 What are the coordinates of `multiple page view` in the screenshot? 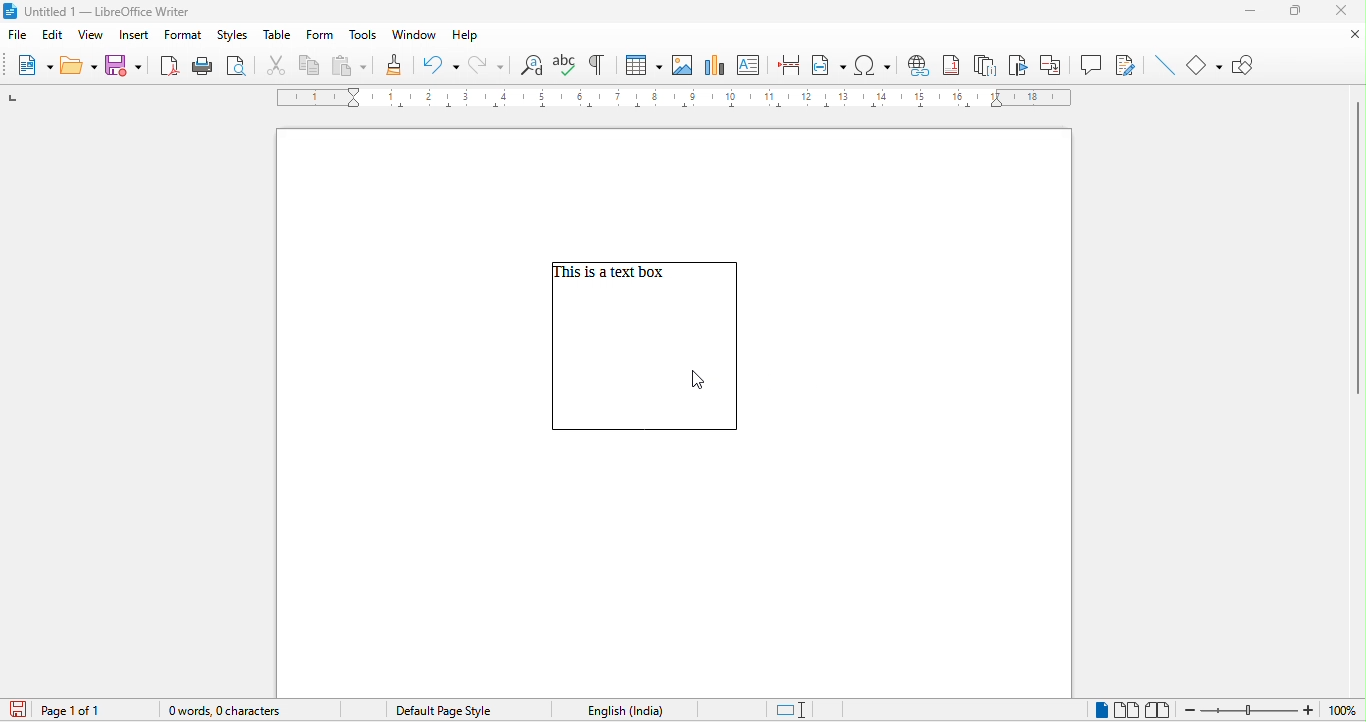 It's located at (1128, 711).